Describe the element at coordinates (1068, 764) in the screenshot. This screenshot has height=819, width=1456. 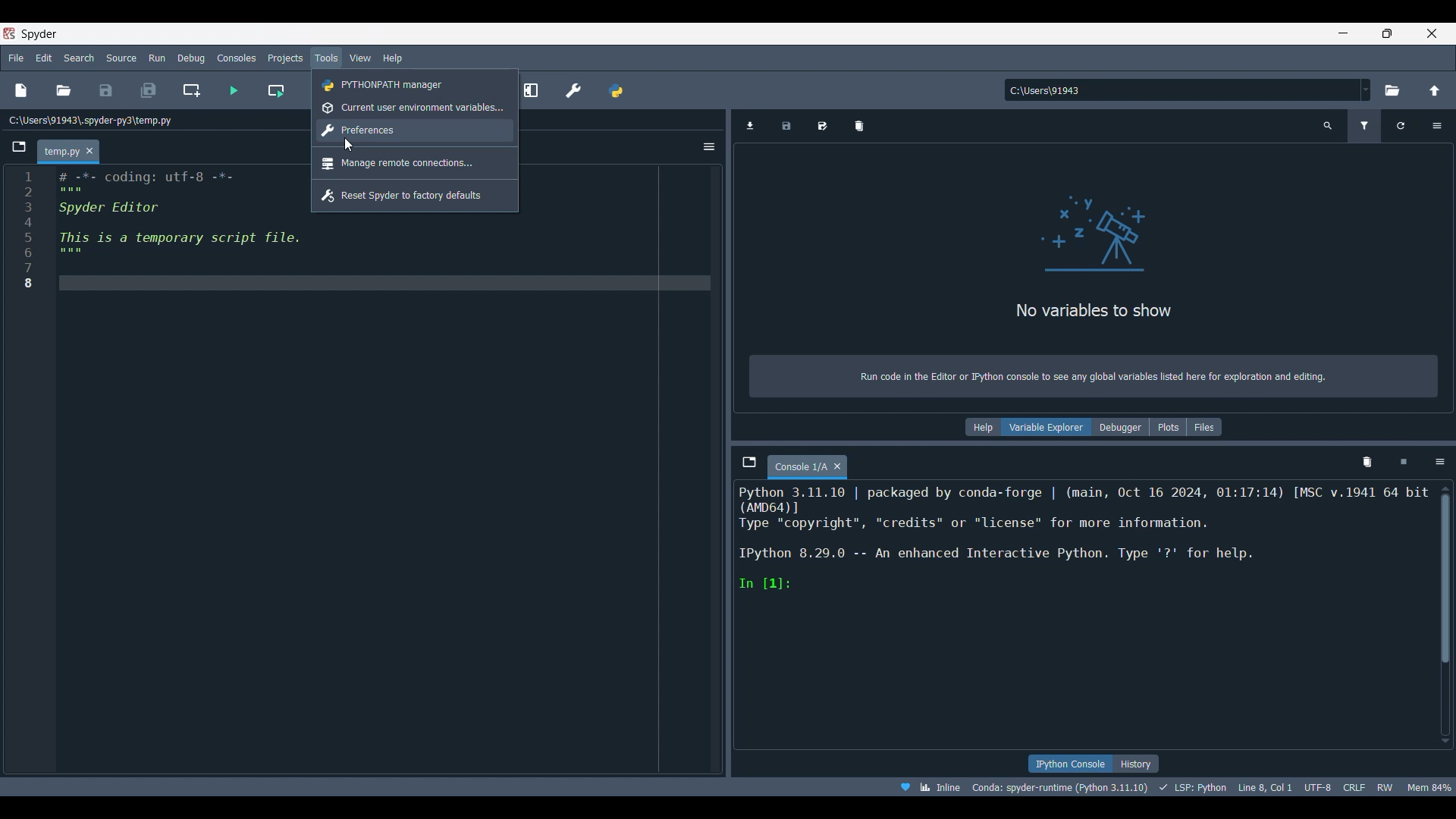
I see `IPython console` at that location.